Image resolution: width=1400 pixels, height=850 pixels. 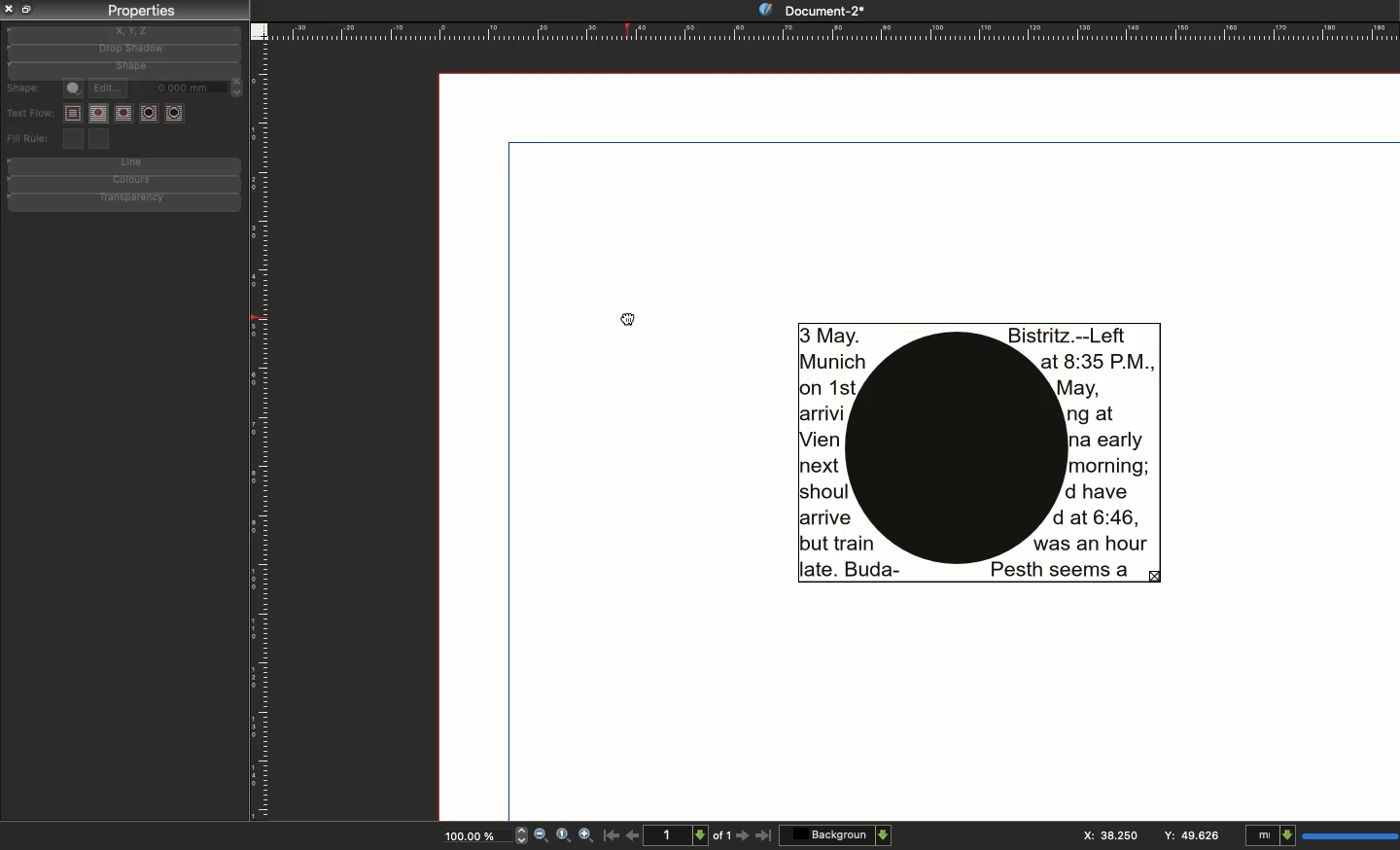 I want to click on x, y, z, so click(x=141, y=31).